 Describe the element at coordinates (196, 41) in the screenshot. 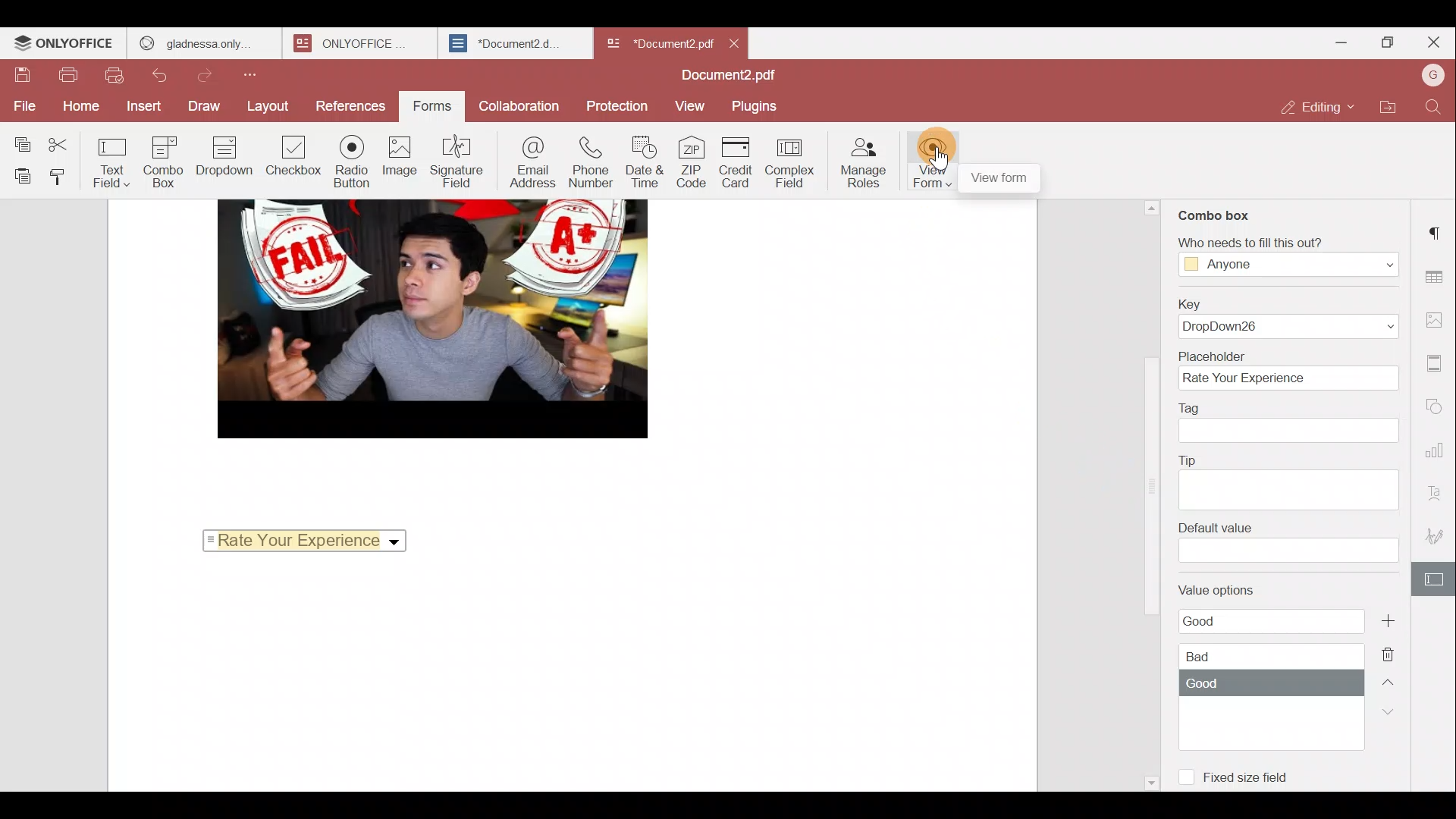

I see `gladnessa only.` at that location.